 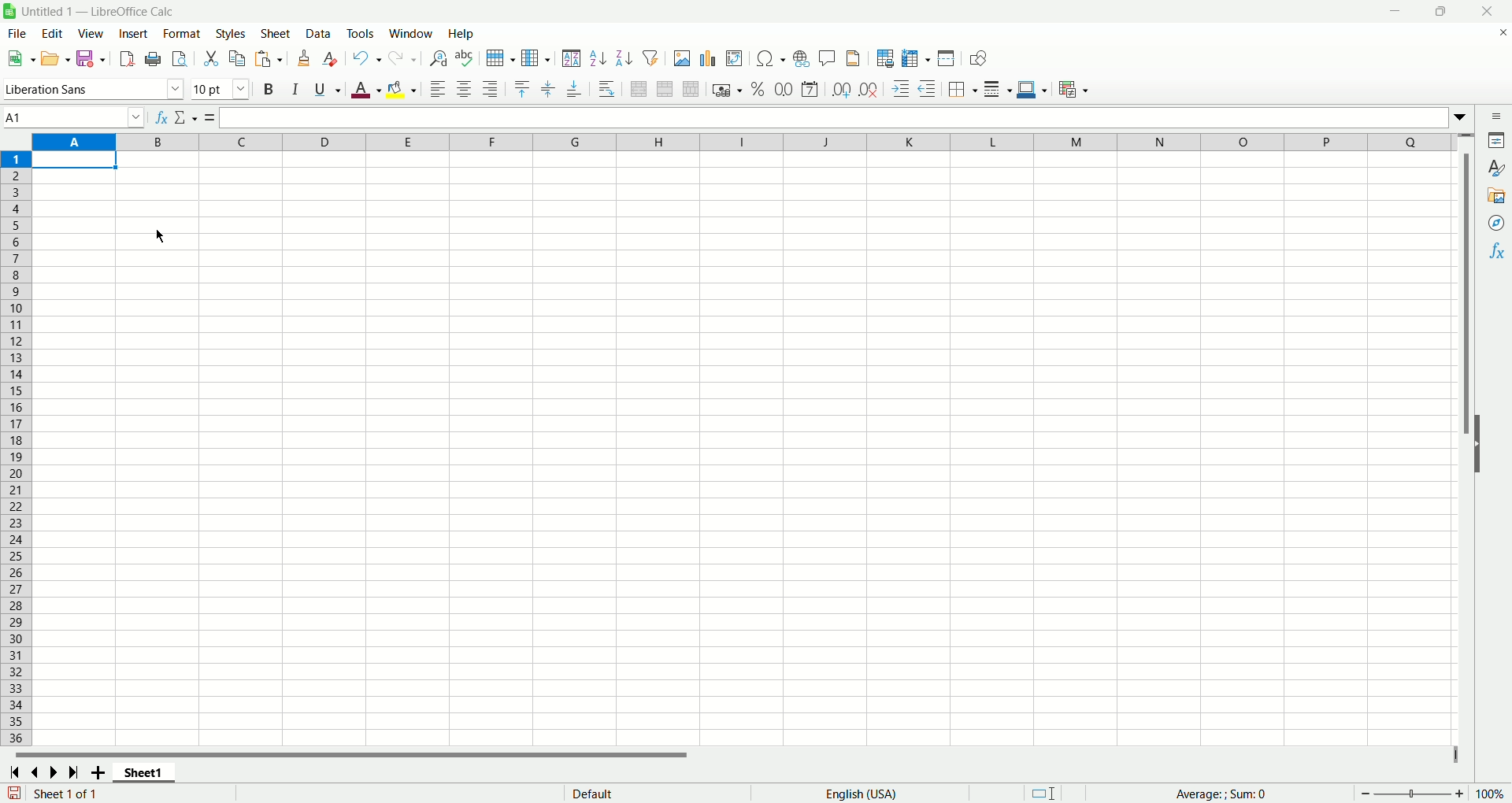 What do you see at coordinates (211, 118) in the screenshot?
I see `formula` at bounding box center [211, 118].